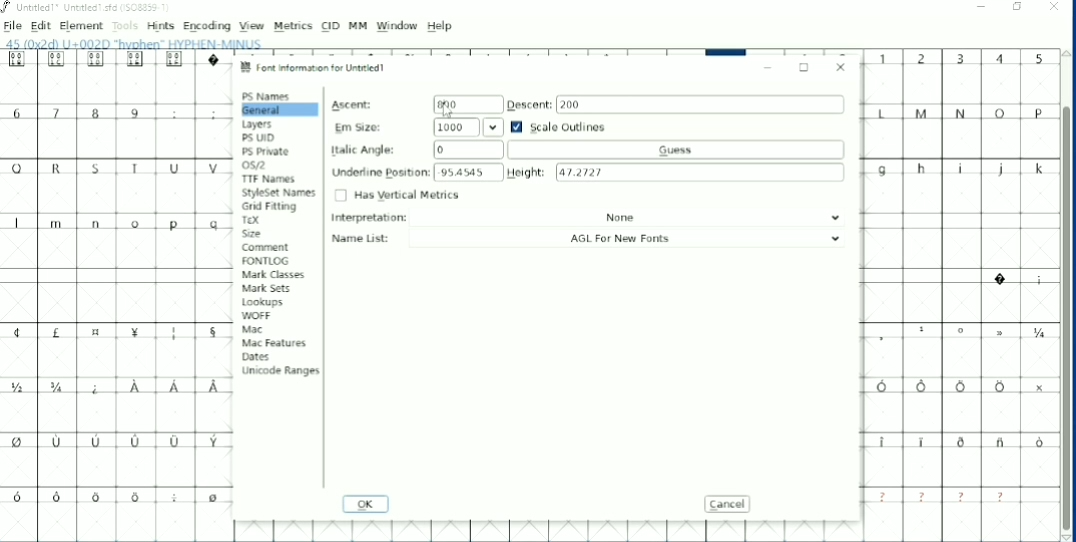  I want to click on Element, so click(81, 26).